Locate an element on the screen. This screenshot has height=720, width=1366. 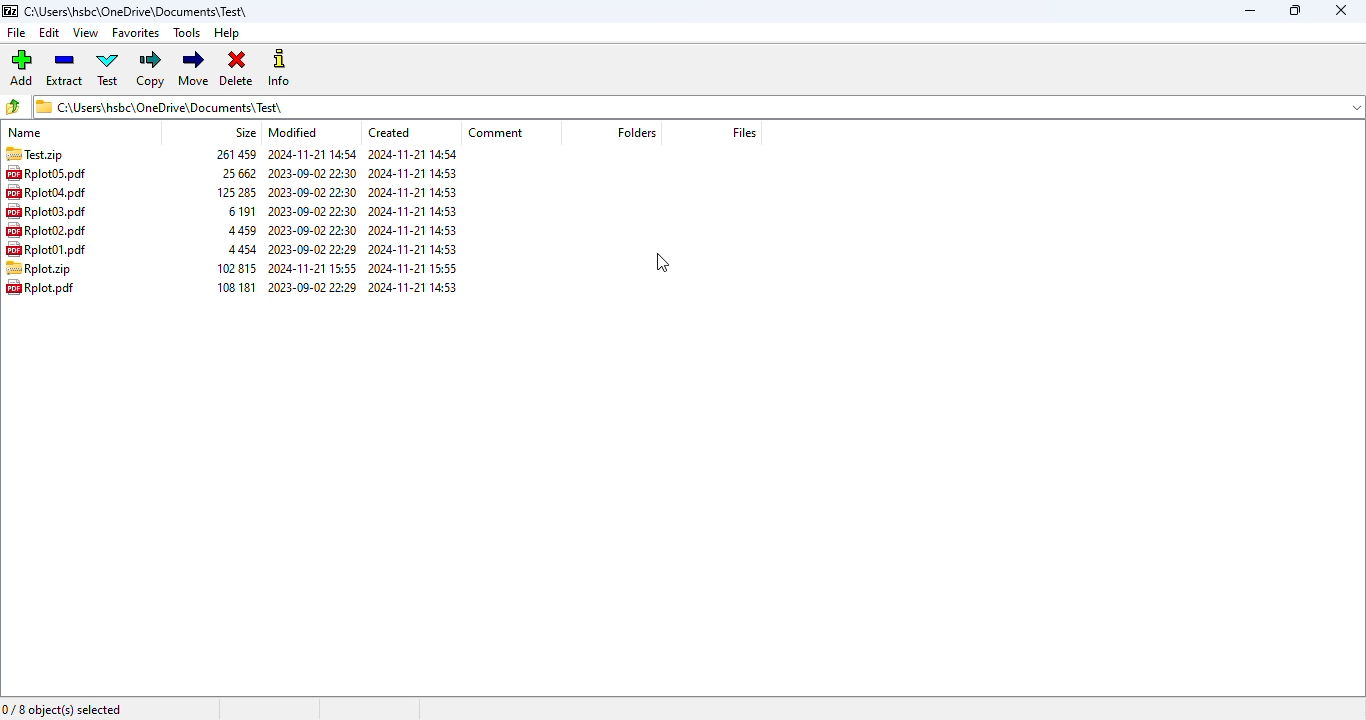
Test.zip is located at coordinates (34, 154).